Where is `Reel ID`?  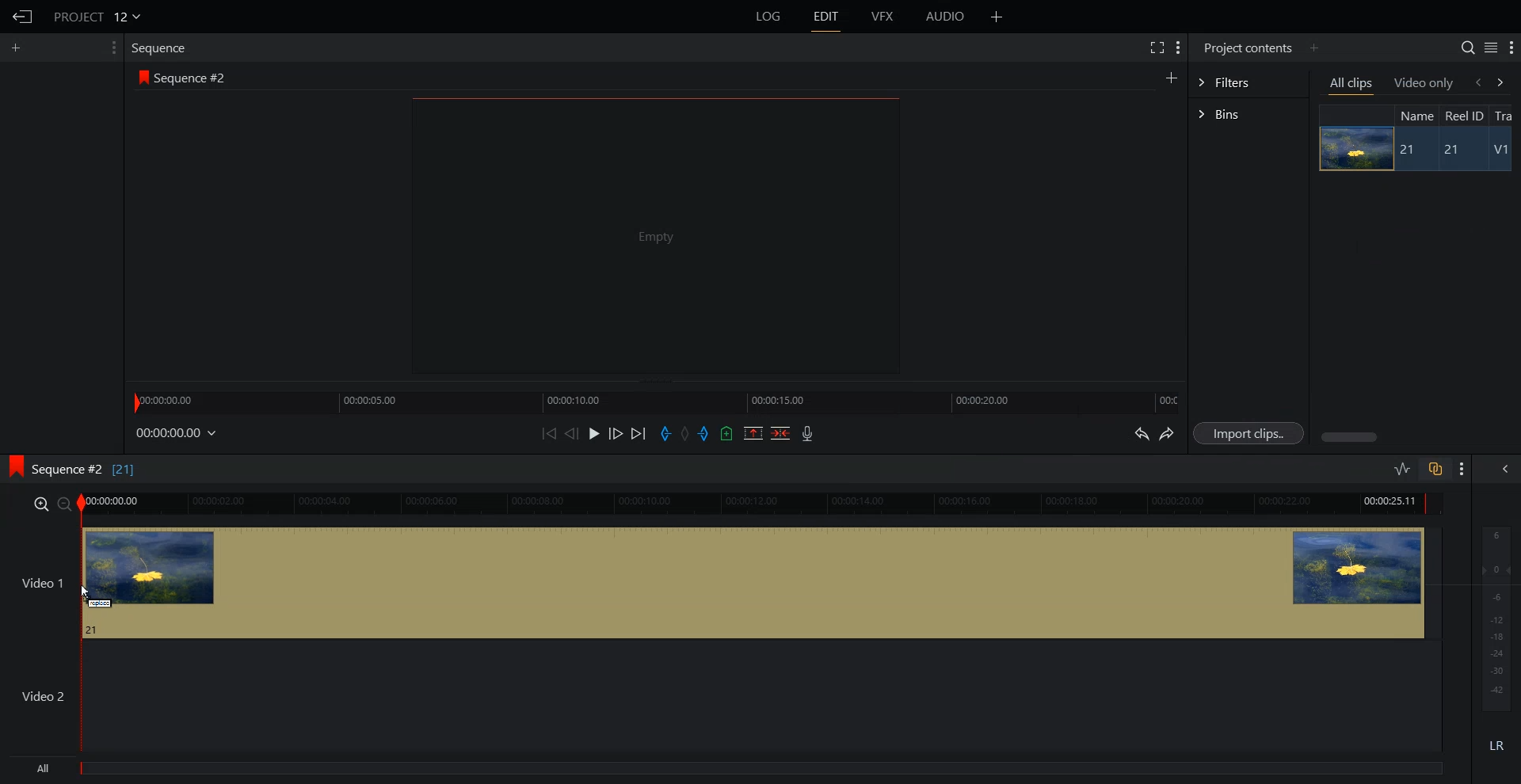
Reel ID is located at coordinates (1464, 116).